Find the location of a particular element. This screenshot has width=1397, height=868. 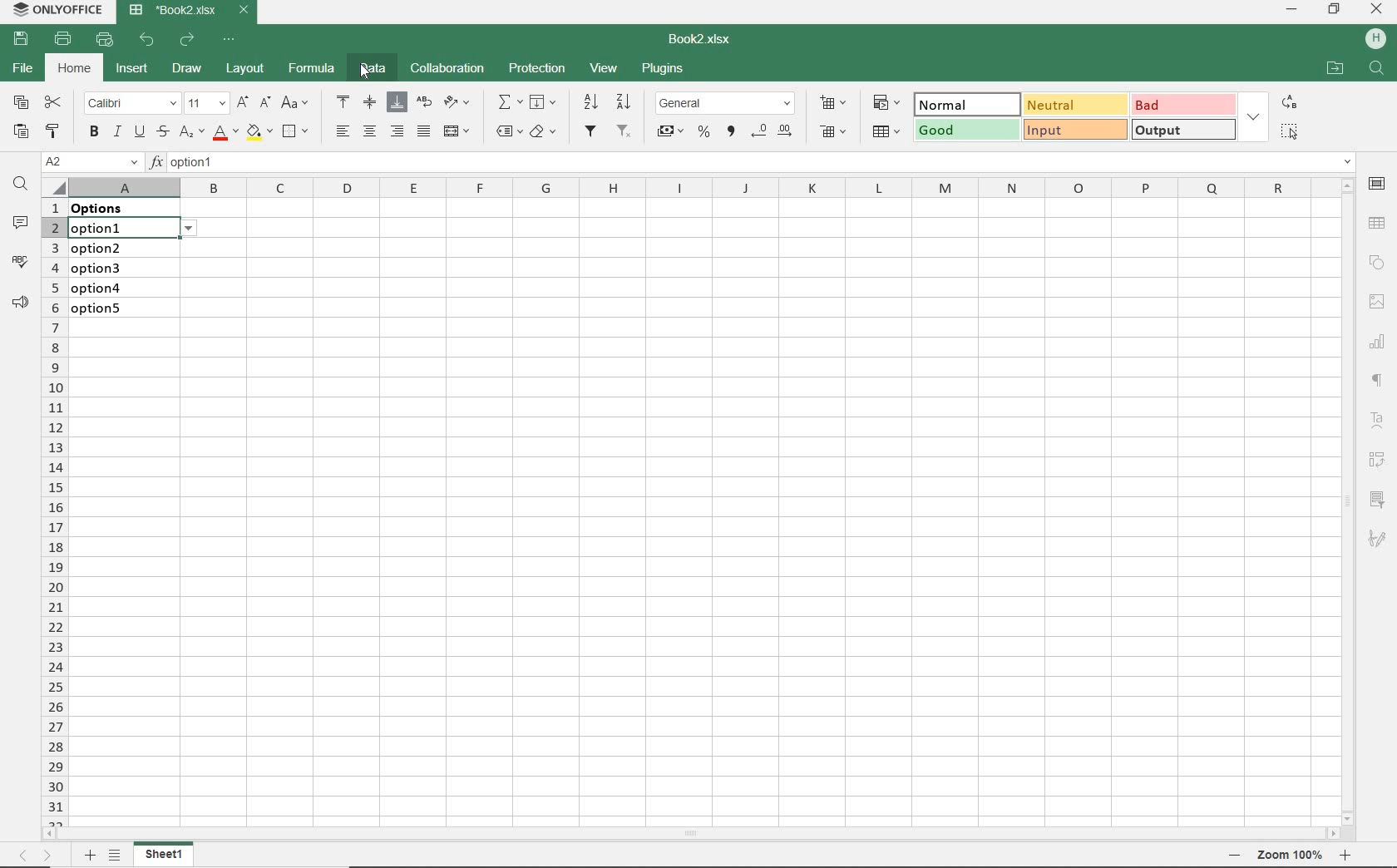

CHANGE DECIMAL is located at coordinates (775, 133).